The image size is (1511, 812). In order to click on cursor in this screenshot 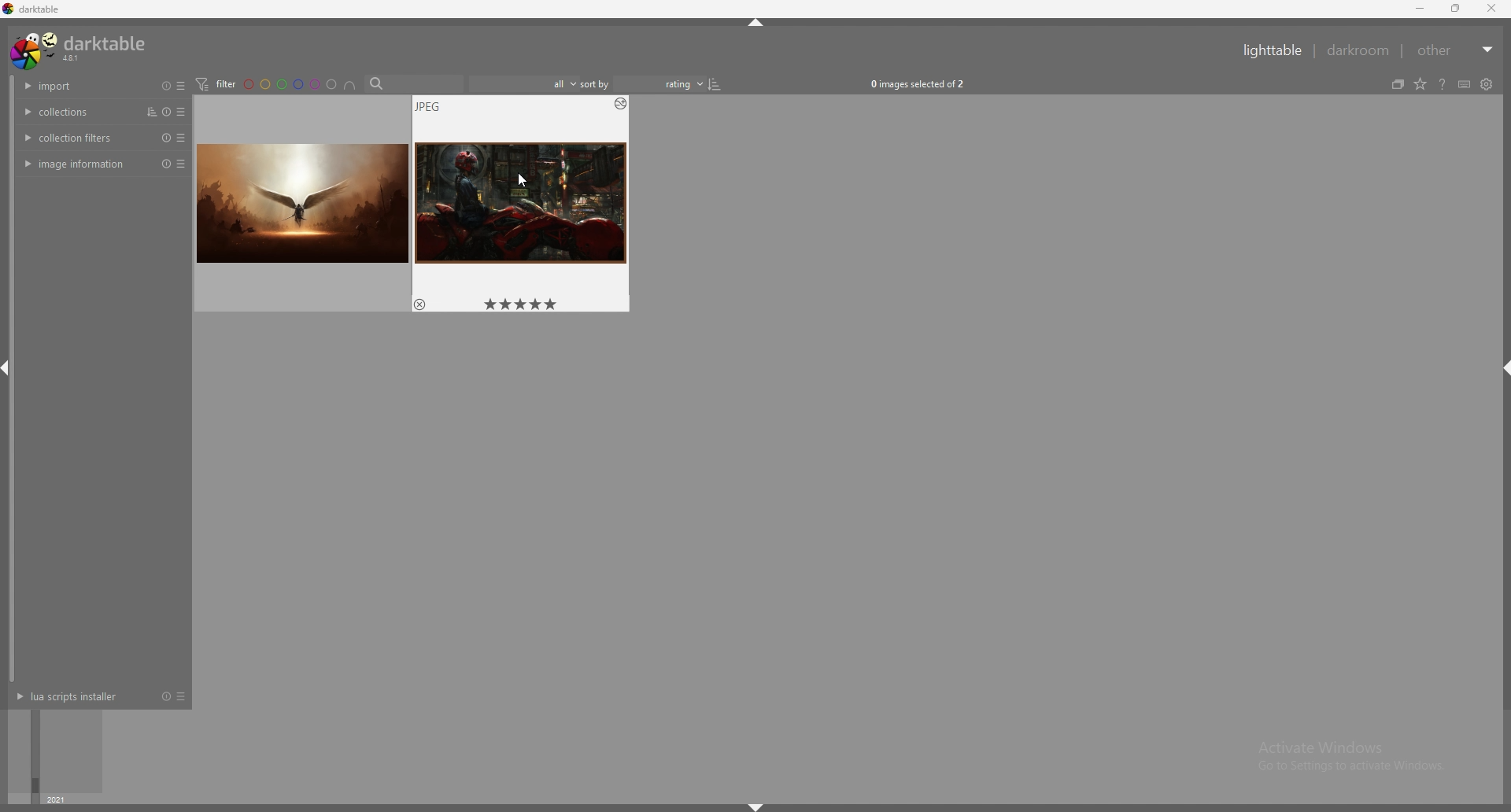, I will do `click(526, 180)`.